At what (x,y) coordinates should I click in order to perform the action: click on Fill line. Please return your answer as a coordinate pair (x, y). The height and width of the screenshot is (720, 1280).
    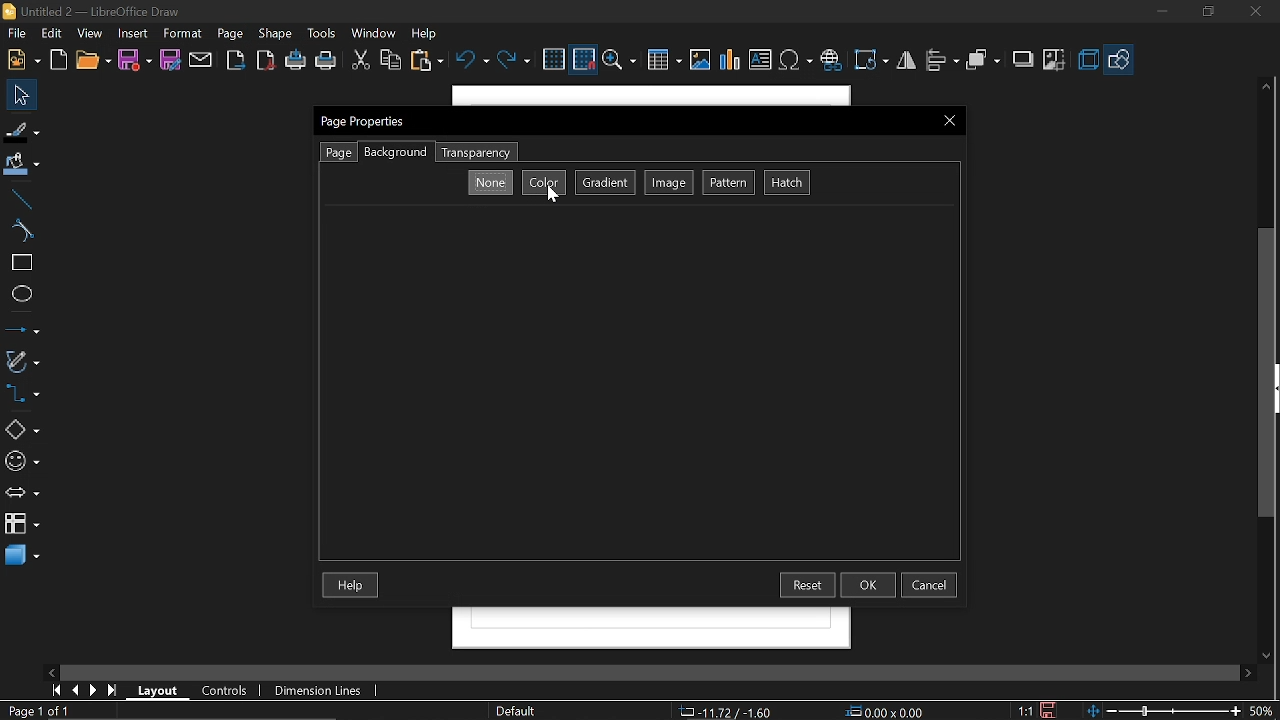
    Looking at the image, I should click on (22, 130).